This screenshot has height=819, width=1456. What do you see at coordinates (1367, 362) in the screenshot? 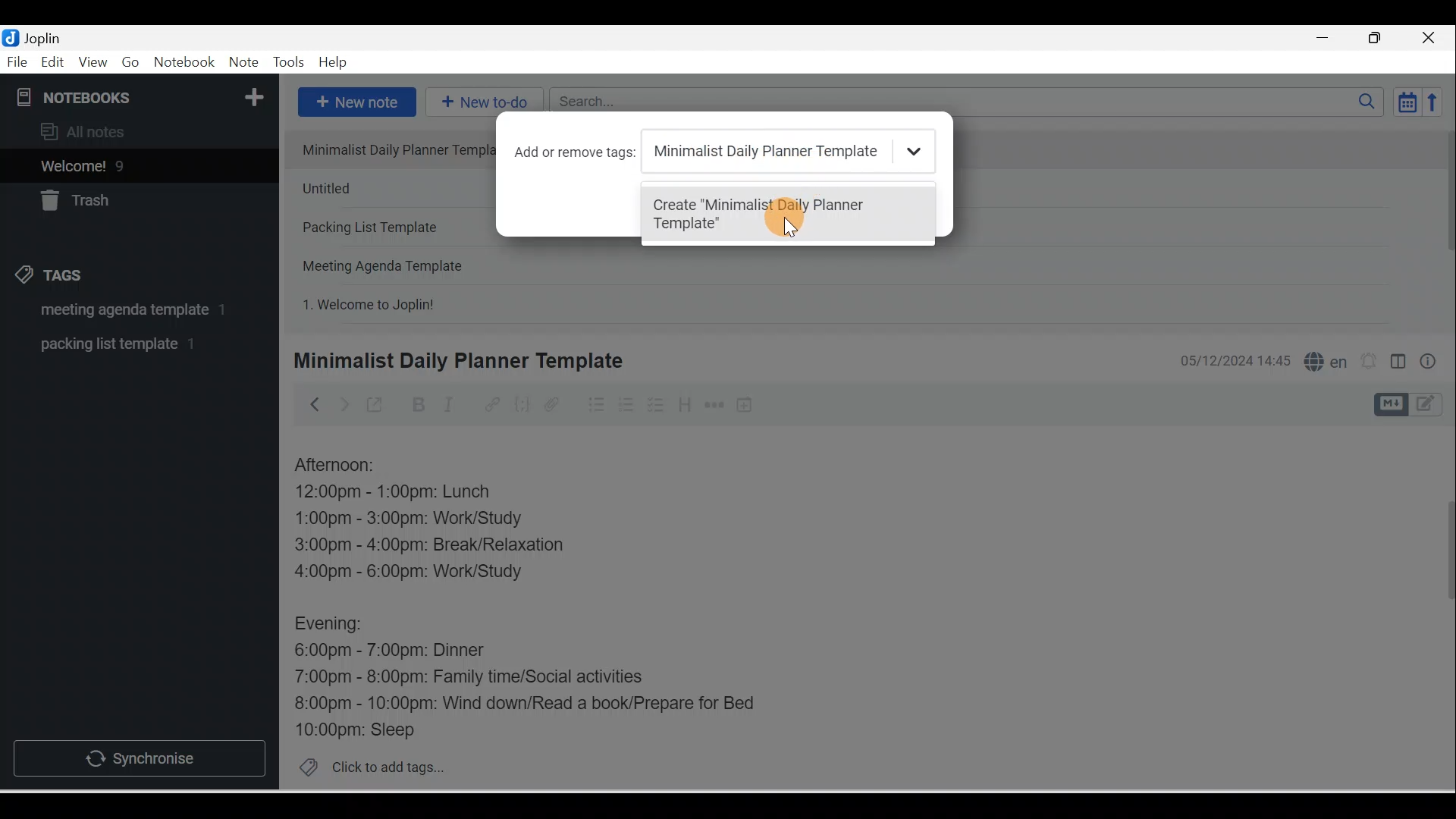
I see `Set alarm` at bounding box center [1367, 362].